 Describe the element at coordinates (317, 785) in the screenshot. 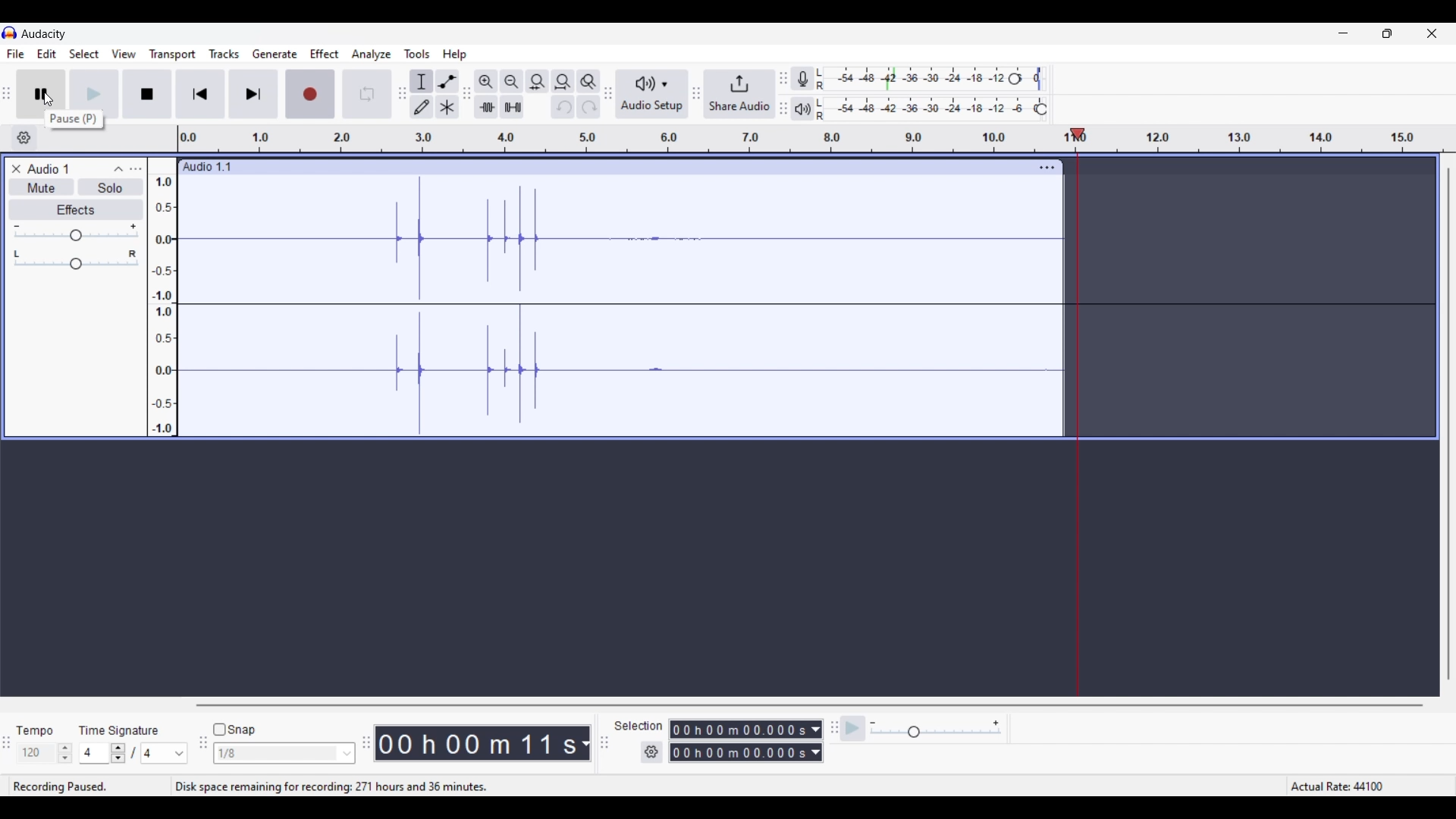

I see `Disk space remaining for recording: 271 hours and 36 minutes.` at that location.